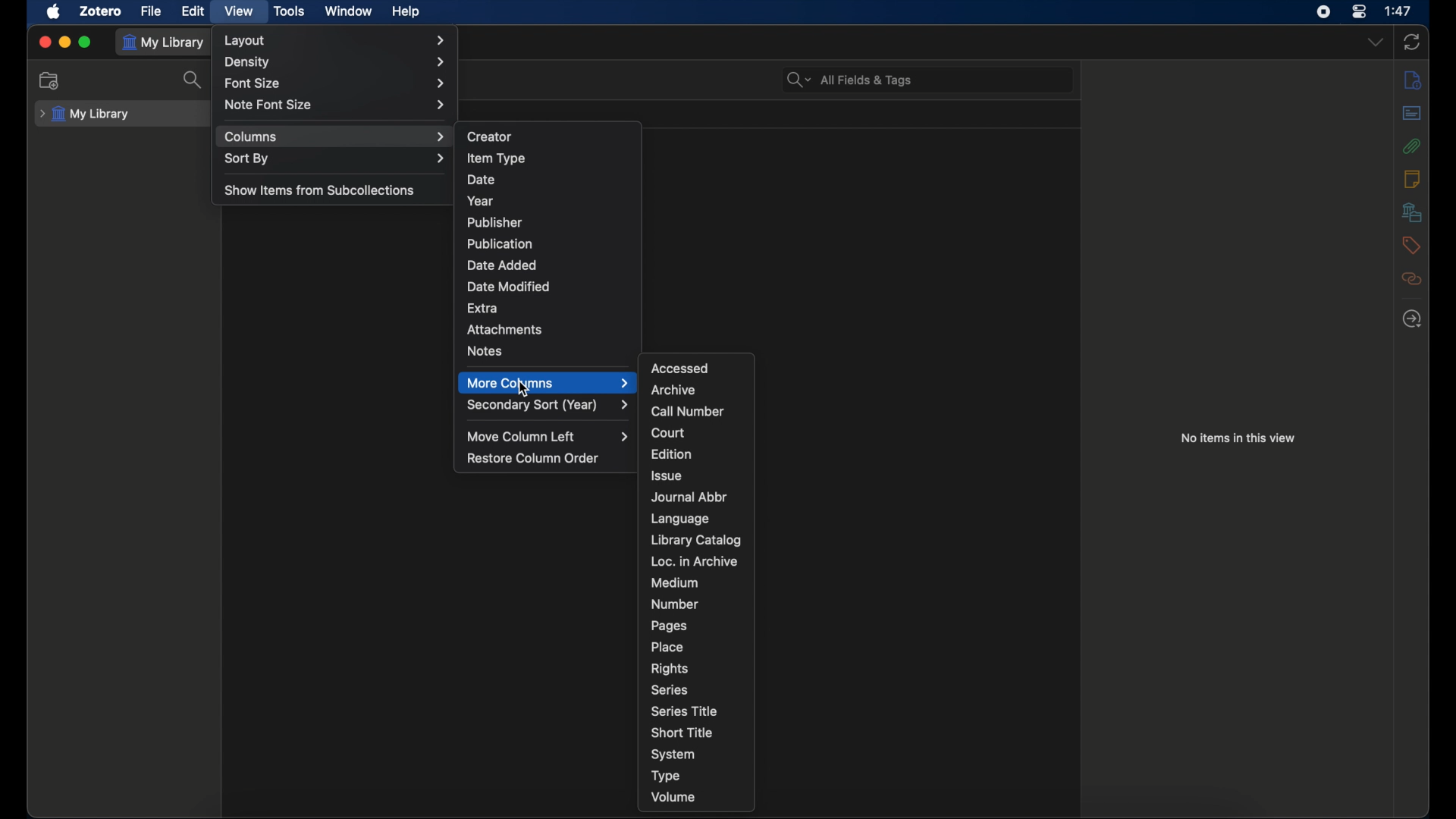  Describe the element at coordinates (502, 265) in the screenshot. I see `date added` at that location.